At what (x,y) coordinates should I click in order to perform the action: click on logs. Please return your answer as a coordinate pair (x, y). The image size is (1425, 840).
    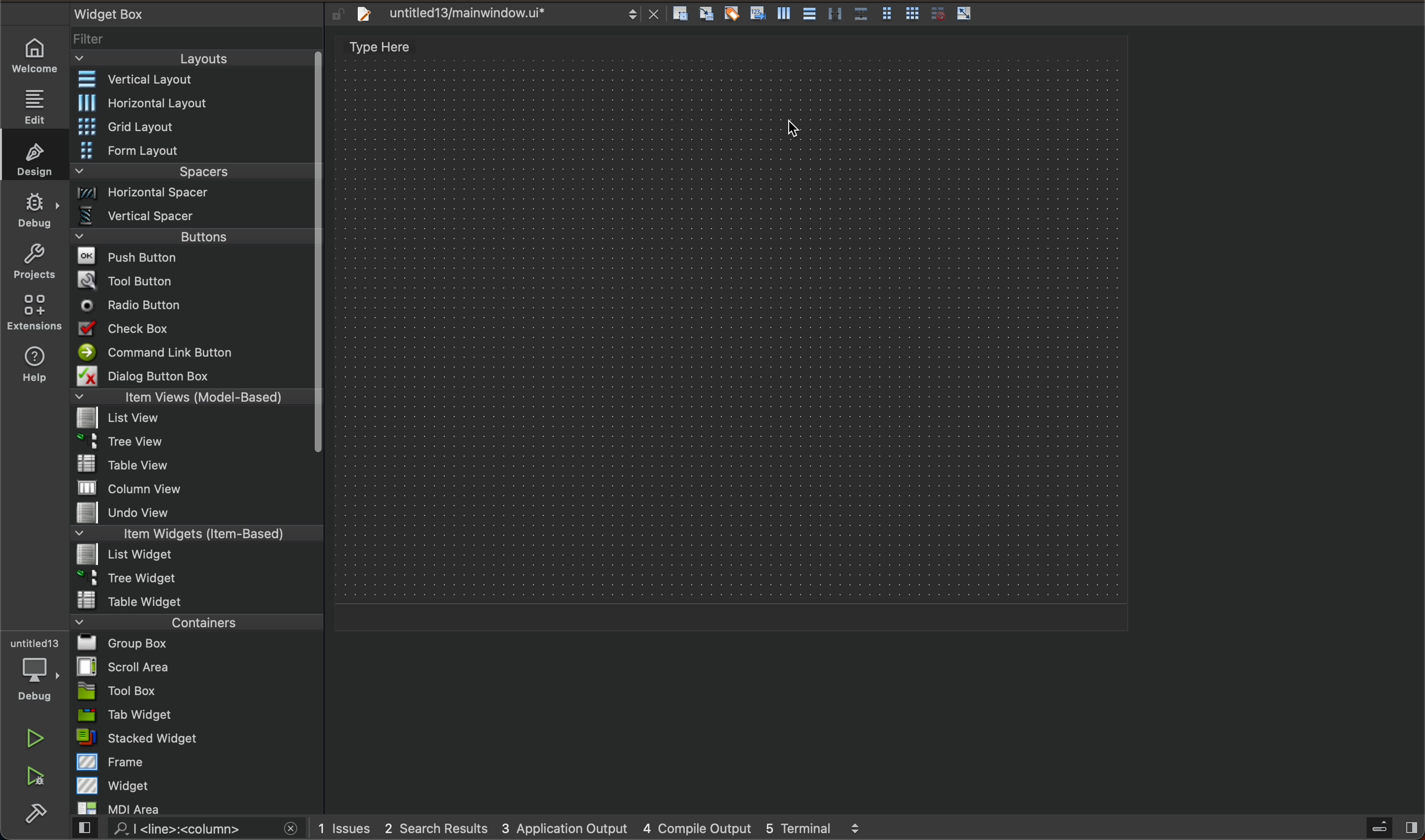
    Looking at the image, I should click on (609, 827).